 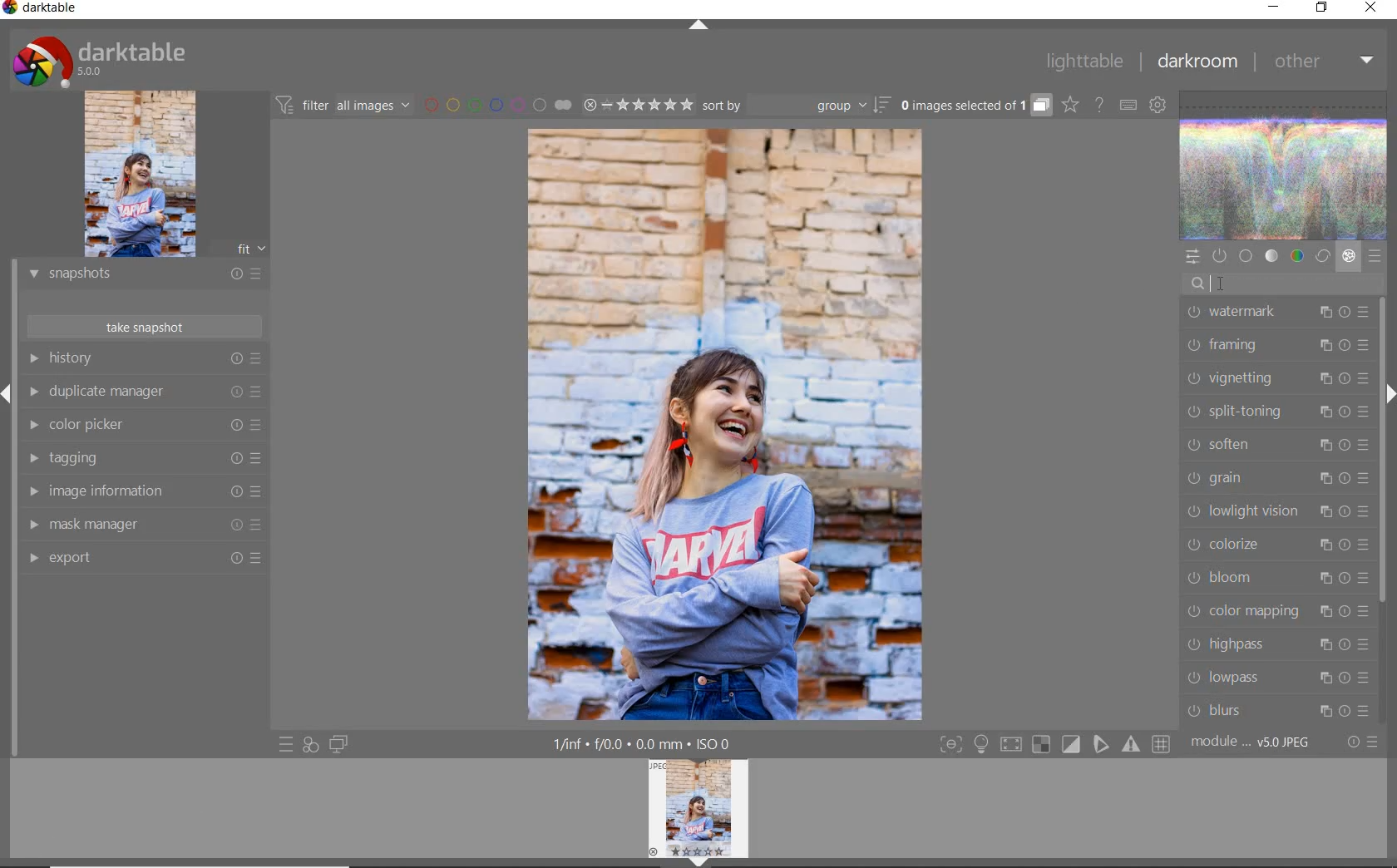 What do you see at coordinates (143, 328) in the screenshot?
I see `take snapshots` at bounding box center [143, 328].